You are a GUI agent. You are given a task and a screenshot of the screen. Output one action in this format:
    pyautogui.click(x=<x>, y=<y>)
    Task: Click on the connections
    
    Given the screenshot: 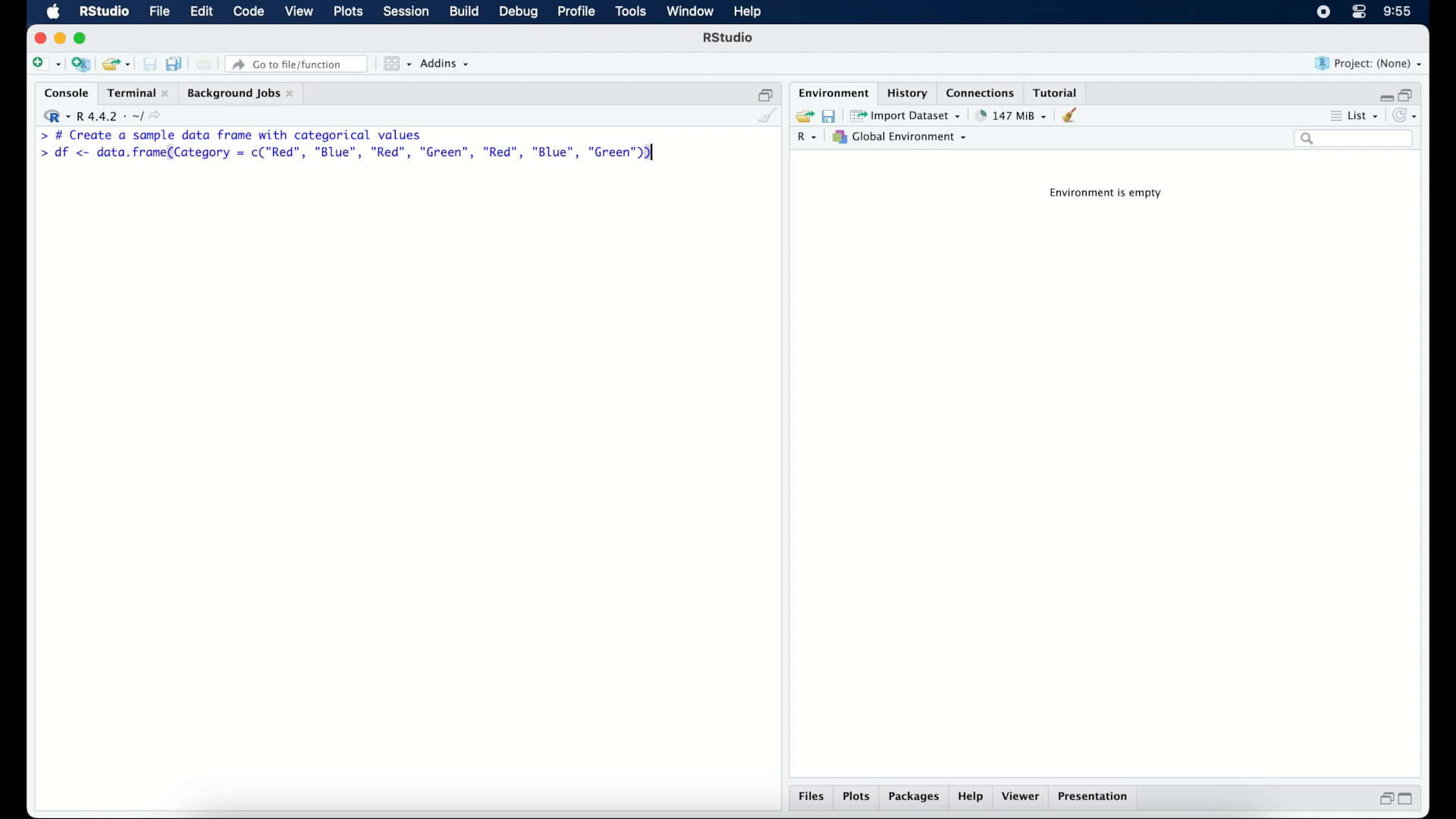 What is the action you would take?
    pyautogui.click(x=982, y=92)
    